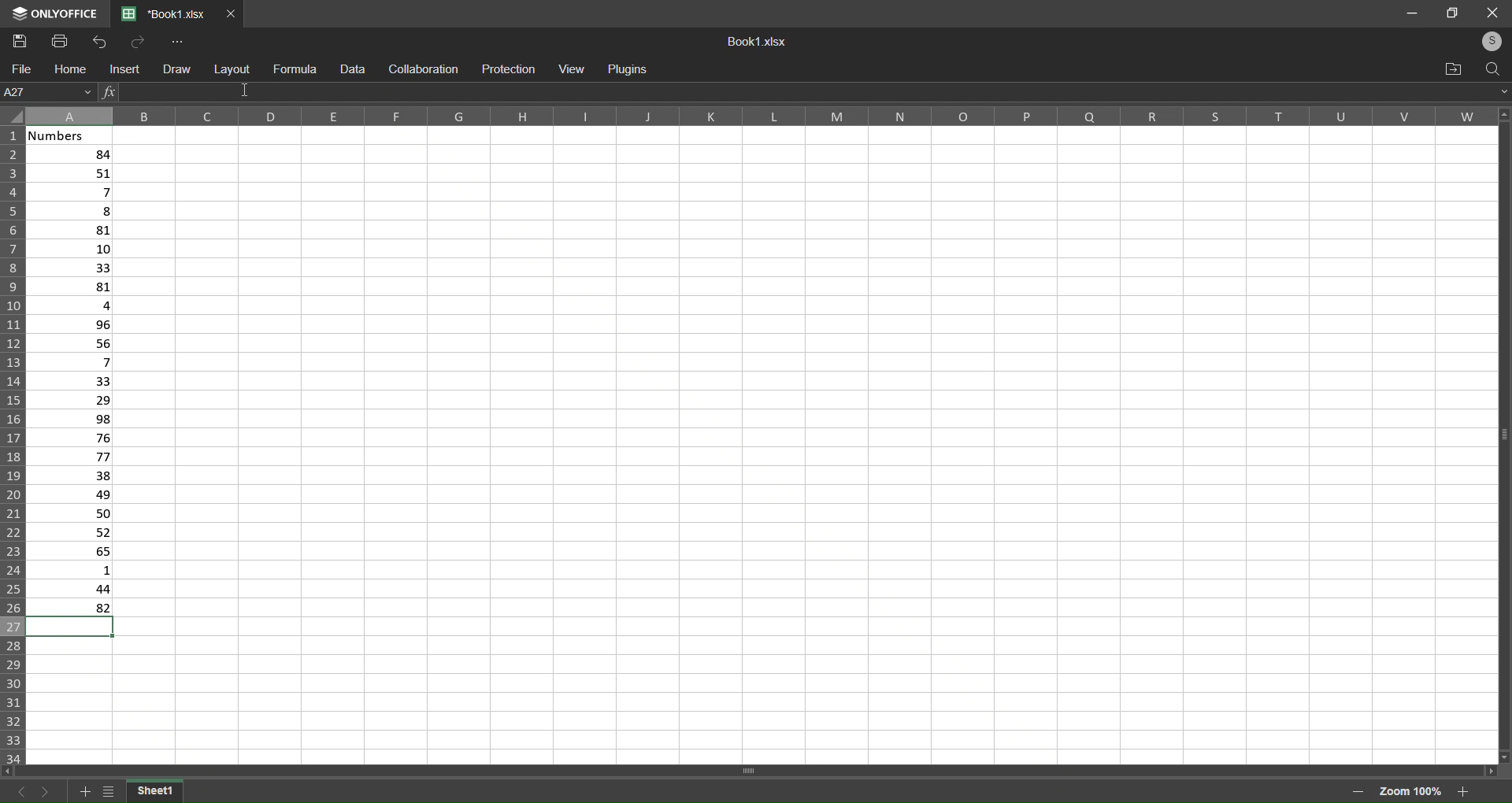  What do you see at coordinates (354, 69) in the screenshot?
I see `data` at bounding box center [354, 69].